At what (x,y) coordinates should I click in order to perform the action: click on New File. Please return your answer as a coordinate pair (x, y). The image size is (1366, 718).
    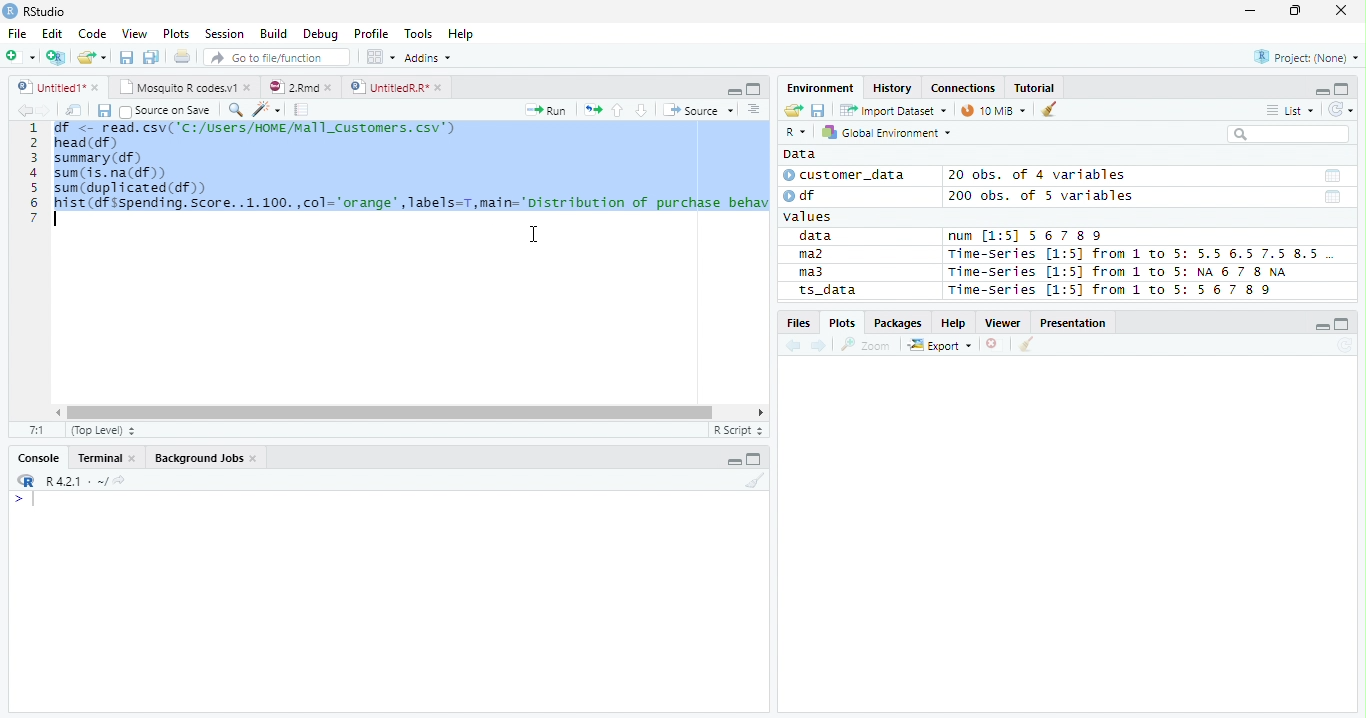
    Looking at the image, I should click on (21, 56).